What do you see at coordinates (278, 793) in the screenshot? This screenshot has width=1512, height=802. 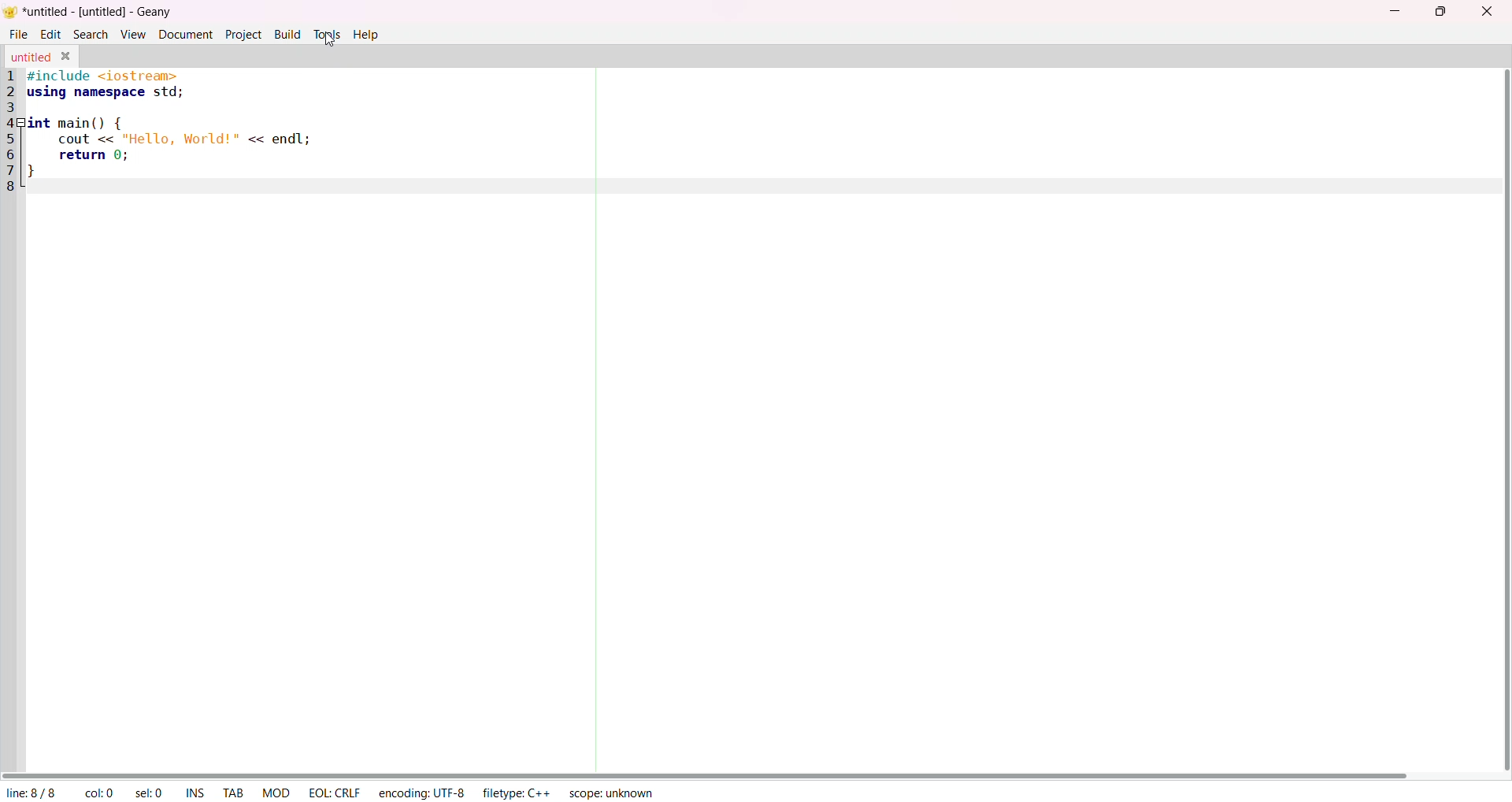 I see `MOD` at bounding box center [278, 793].